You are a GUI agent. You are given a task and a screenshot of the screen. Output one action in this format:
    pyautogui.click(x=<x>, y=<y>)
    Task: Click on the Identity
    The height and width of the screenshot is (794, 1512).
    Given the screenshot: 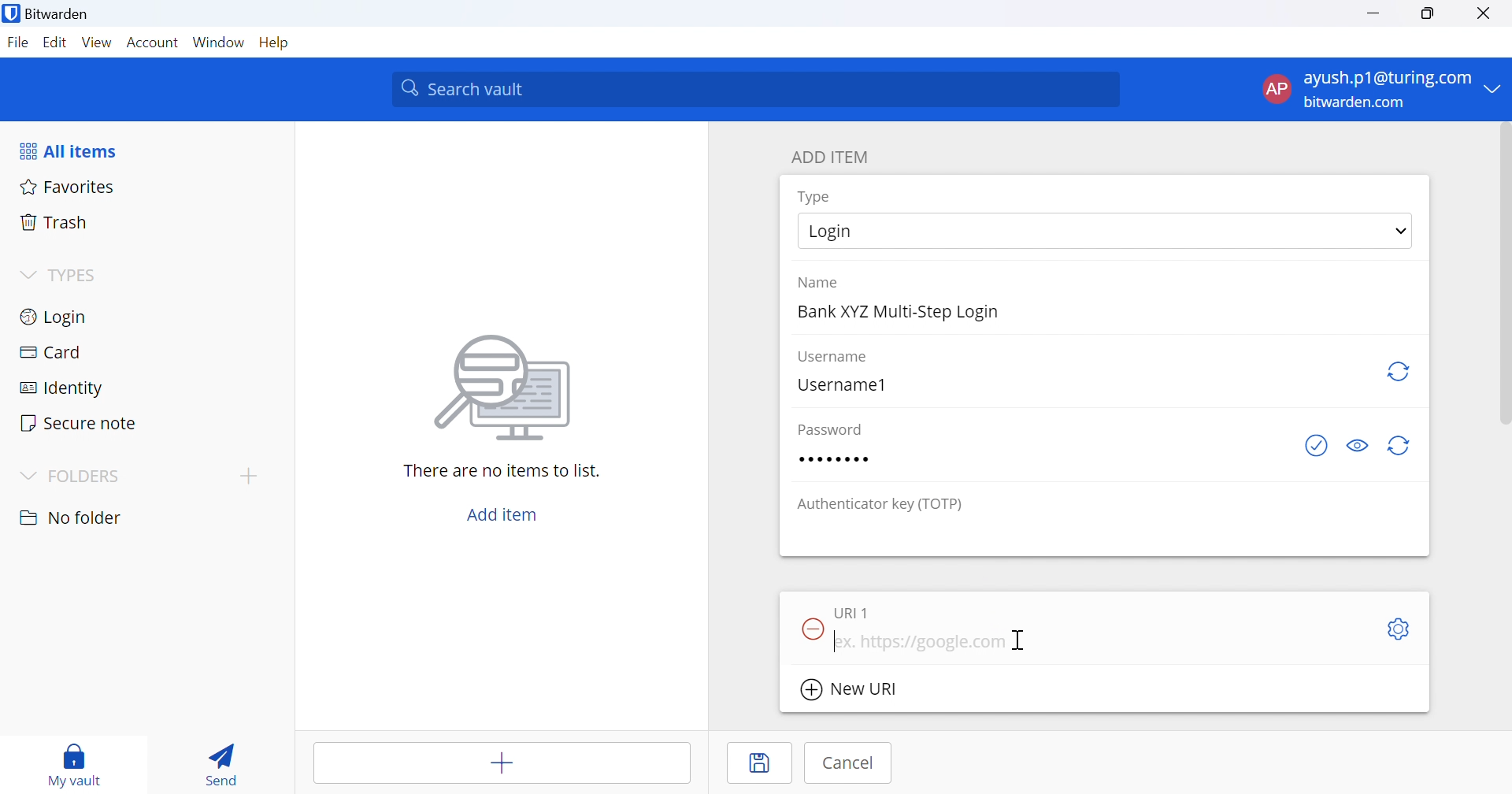 What is the action you would take?
    pyautogui.click(x=62, y=388)
    